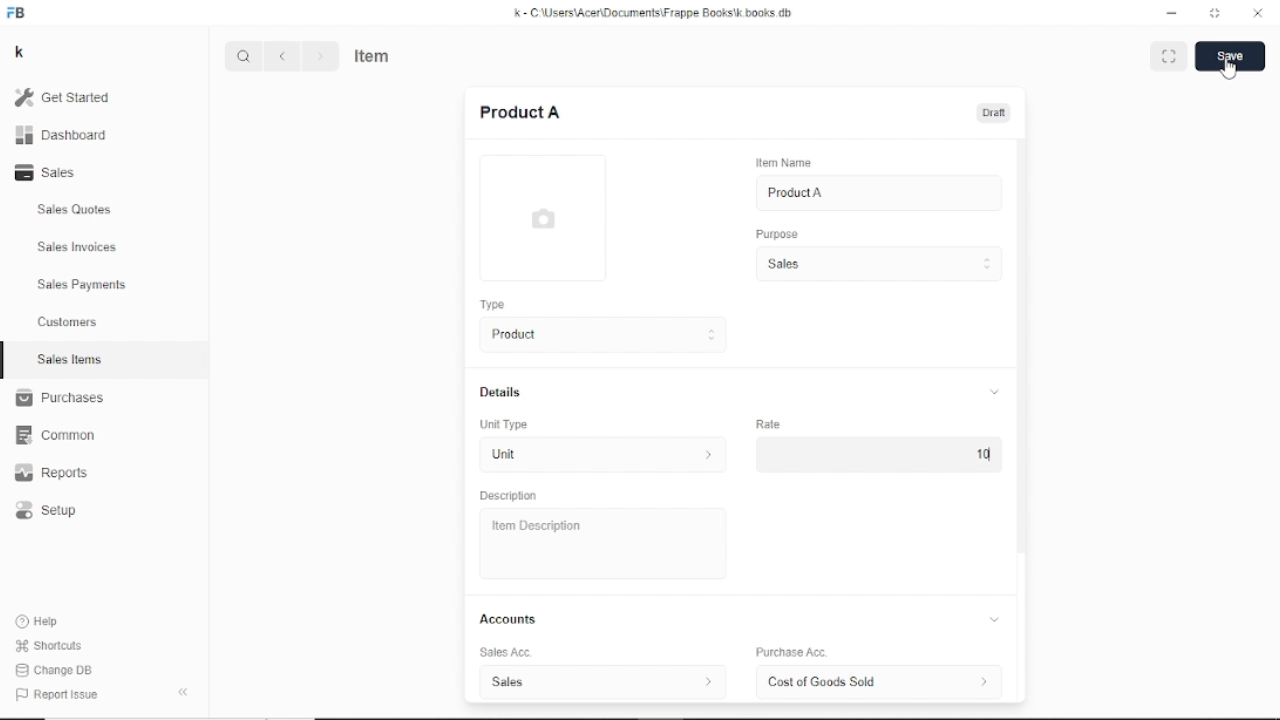 This screenshot has height=720, width=1280. I want to click on Accounts, so click(743, 619).